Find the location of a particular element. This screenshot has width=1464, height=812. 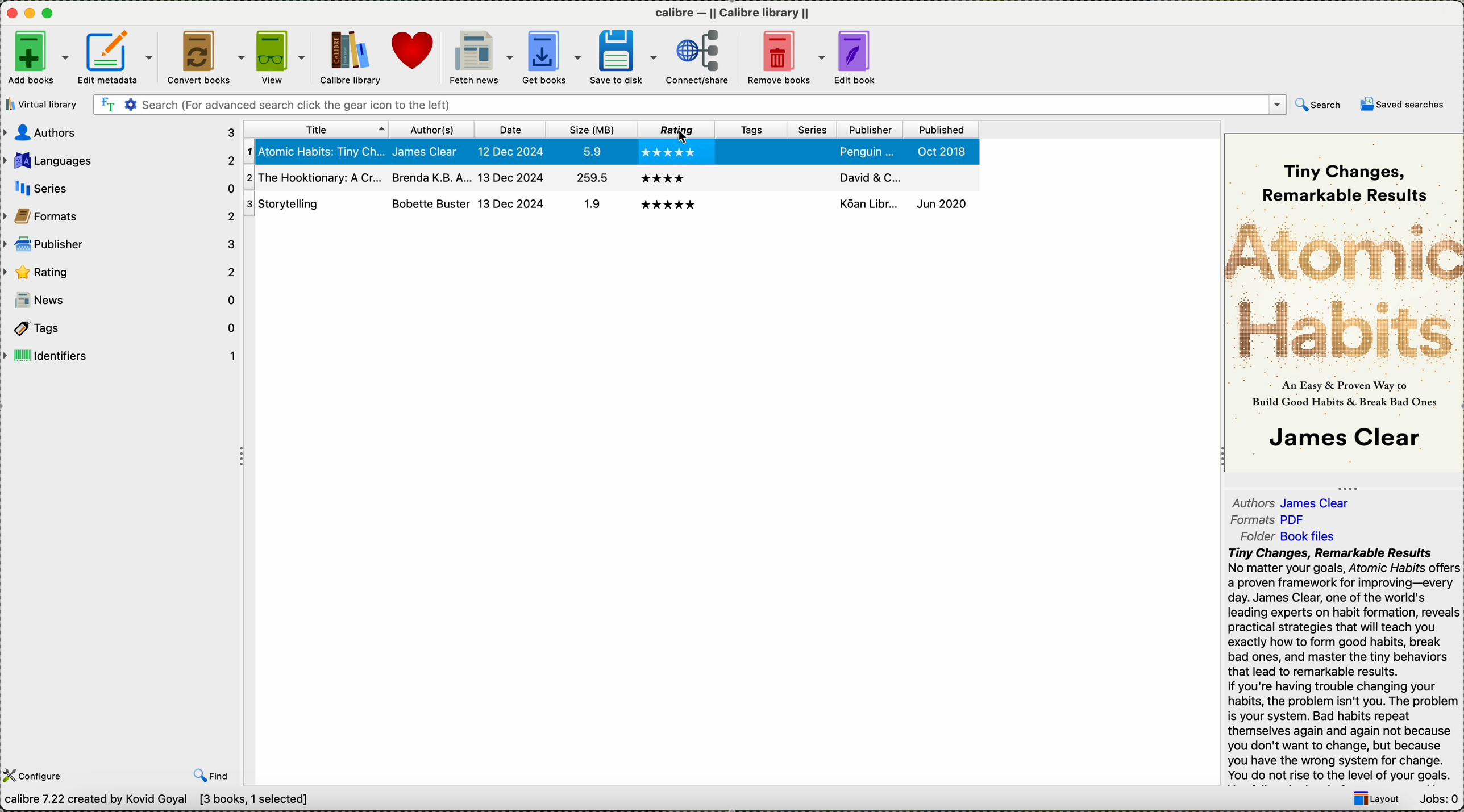

click on rating is located at coordinates (676, 130).